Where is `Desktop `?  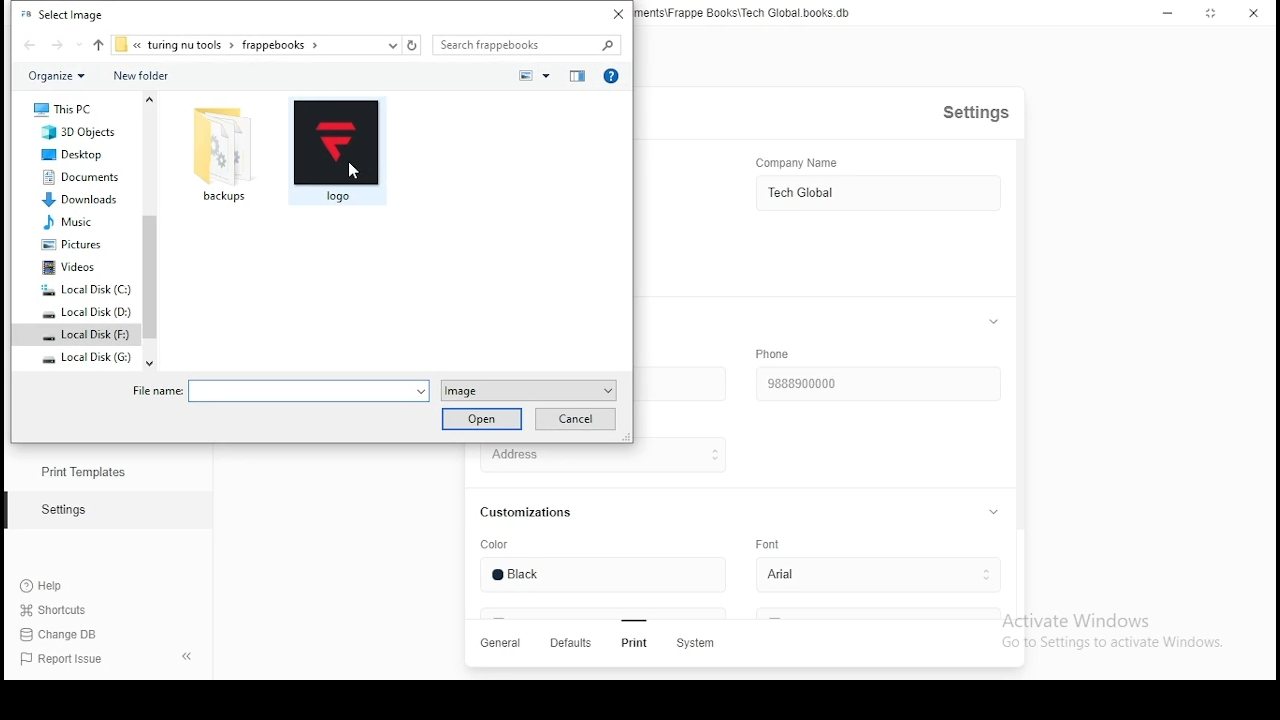 Desktop  is located at coordinates (76, 156).